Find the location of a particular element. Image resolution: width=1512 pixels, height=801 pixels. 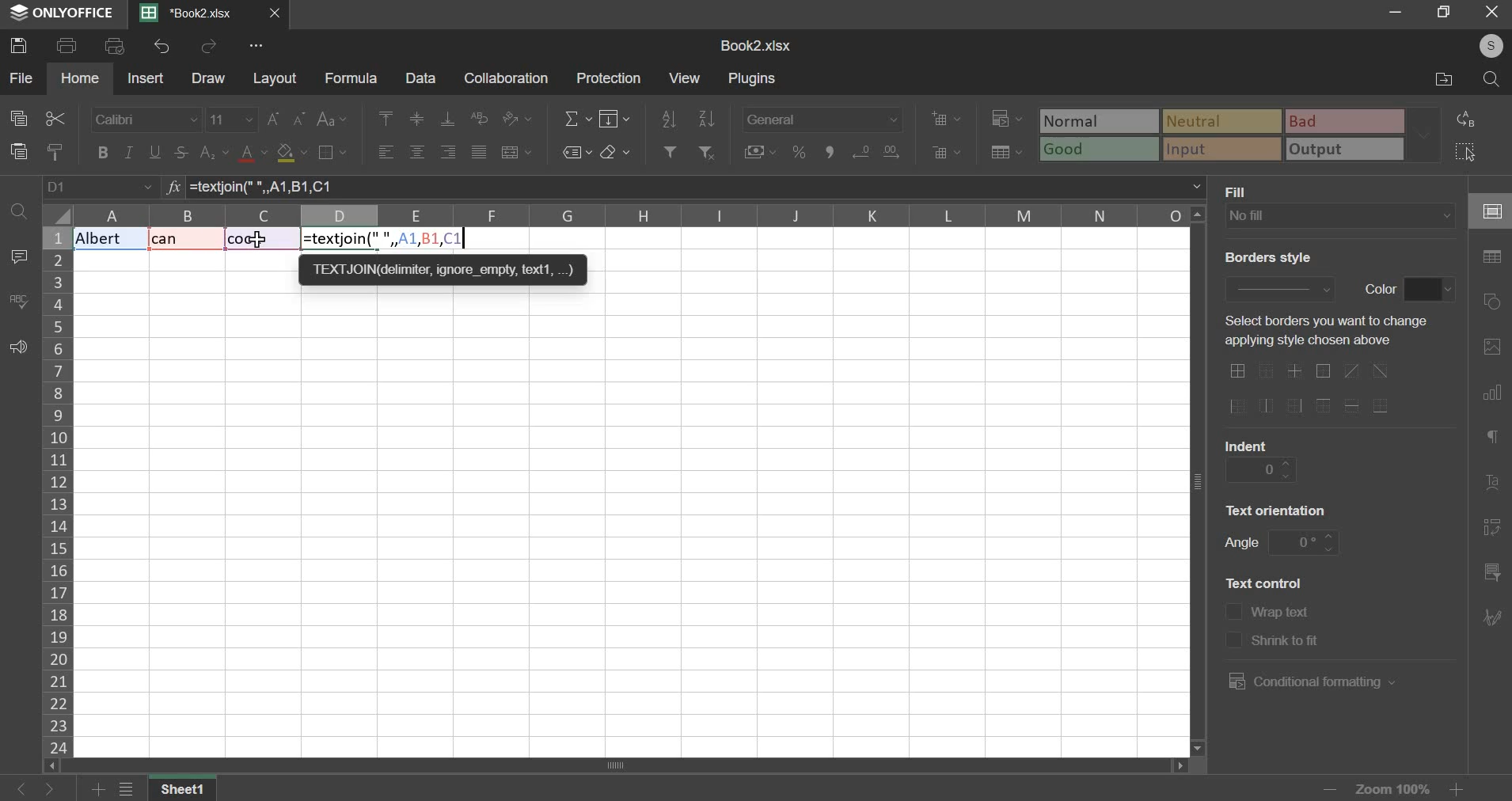

text is located at coordinates (1380, 287).